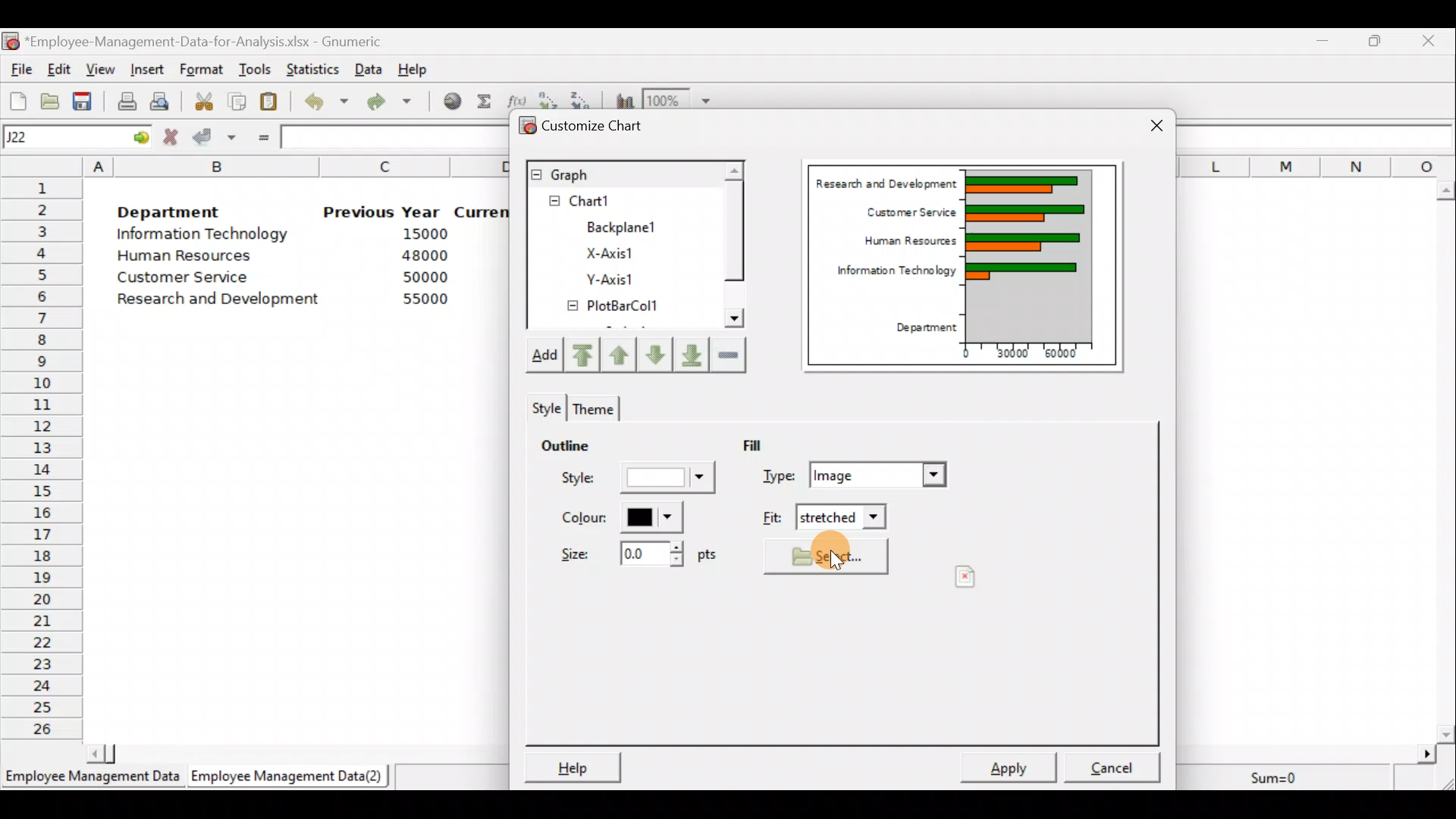 The image size is (1456, 819). I want to click on Chart1, so click(604, 201).